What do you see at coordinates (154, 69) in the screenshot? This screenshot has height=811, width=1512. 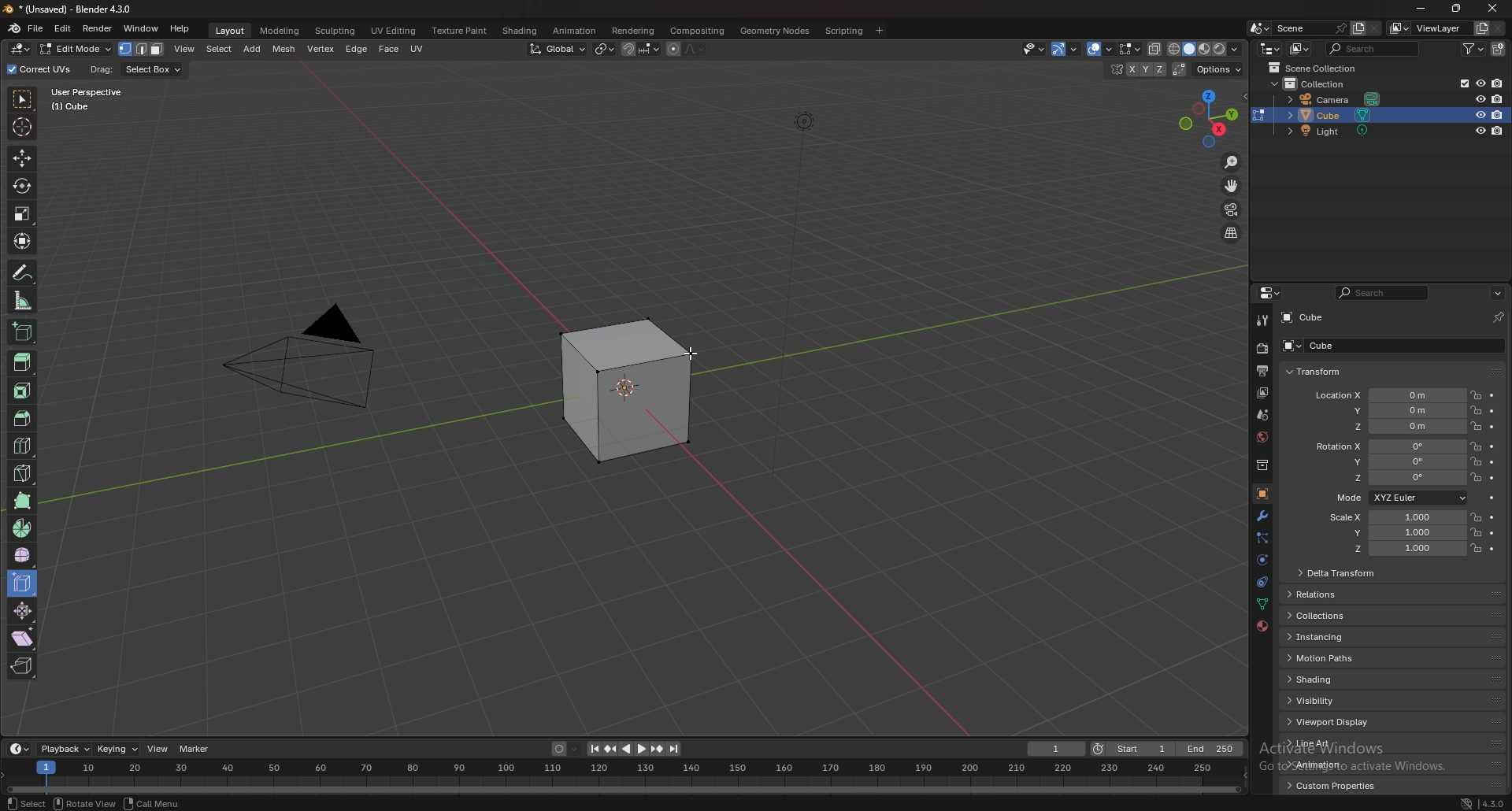 I see `select box` at bounding box center [154, 69].